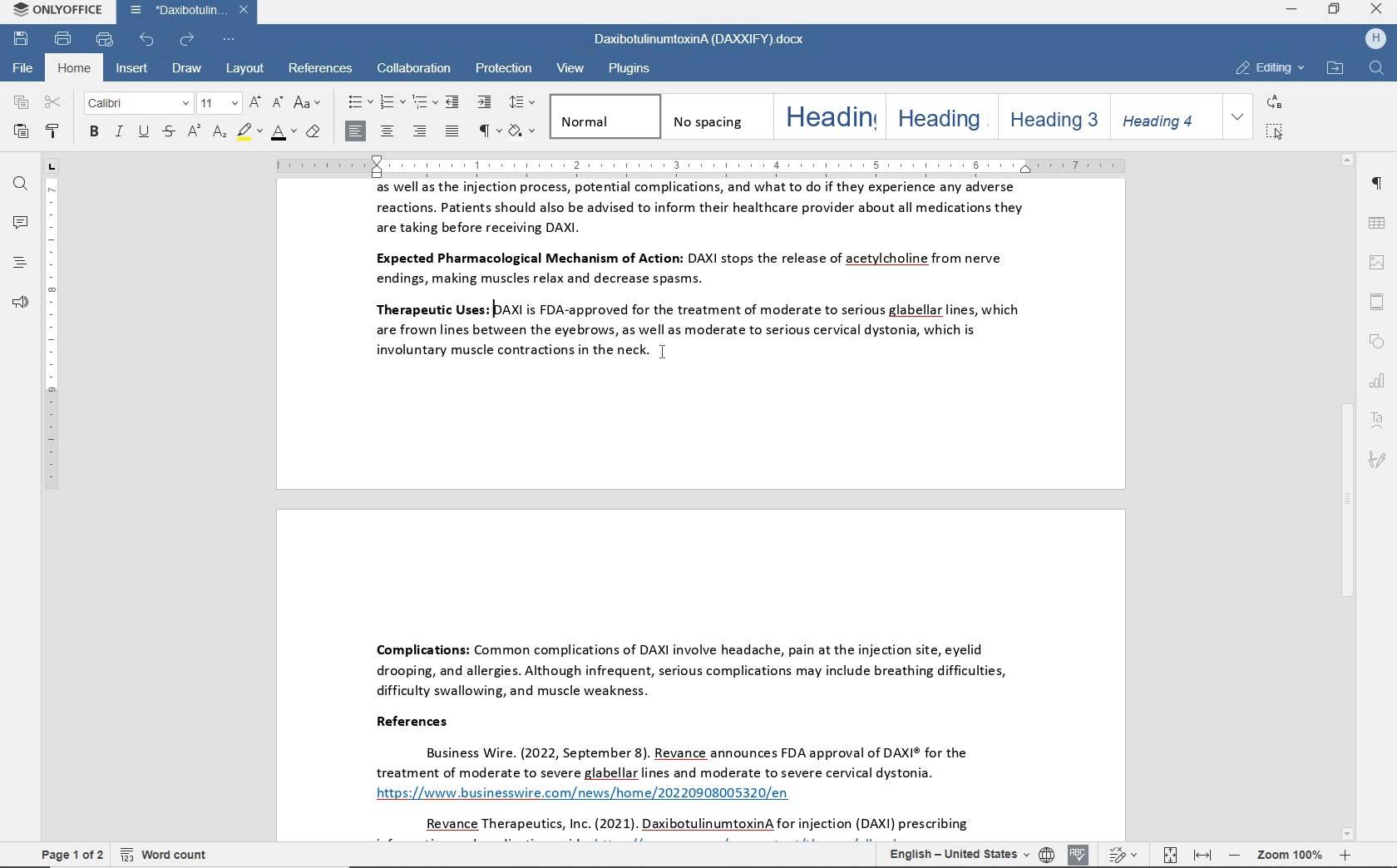 This screenshot has width=1397, height=868. Describe the element at coordinates (938, 116) in the screenshot. I see `heading 2` at that location.